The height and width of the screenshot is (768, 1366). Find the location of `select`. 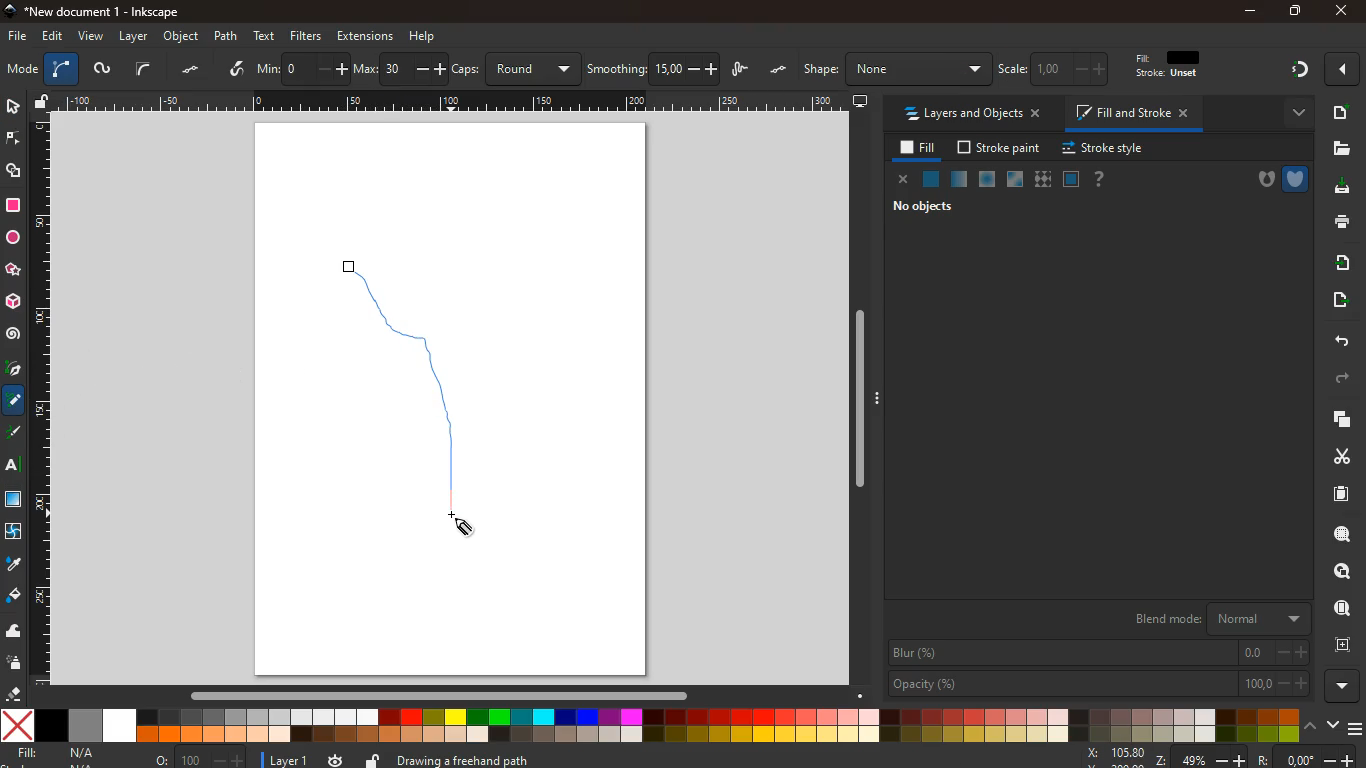

select is located at coordinates (11, 105).